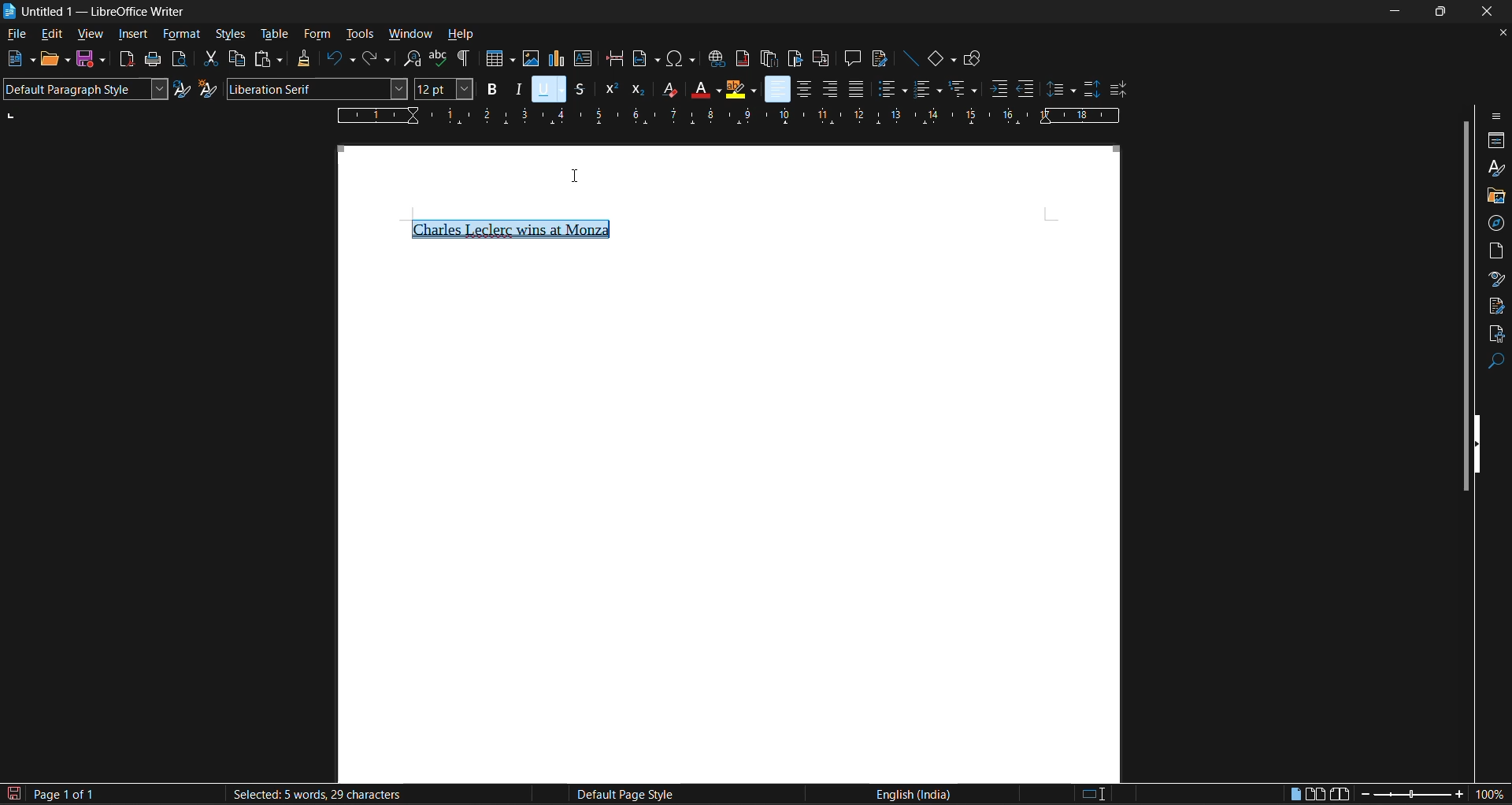 The width and height of the screenshot is (1512, 805). What do you see at coordinates (717, 61) in the screenshot?
I see `insert hyperlink` at bounding box center [717, 61].